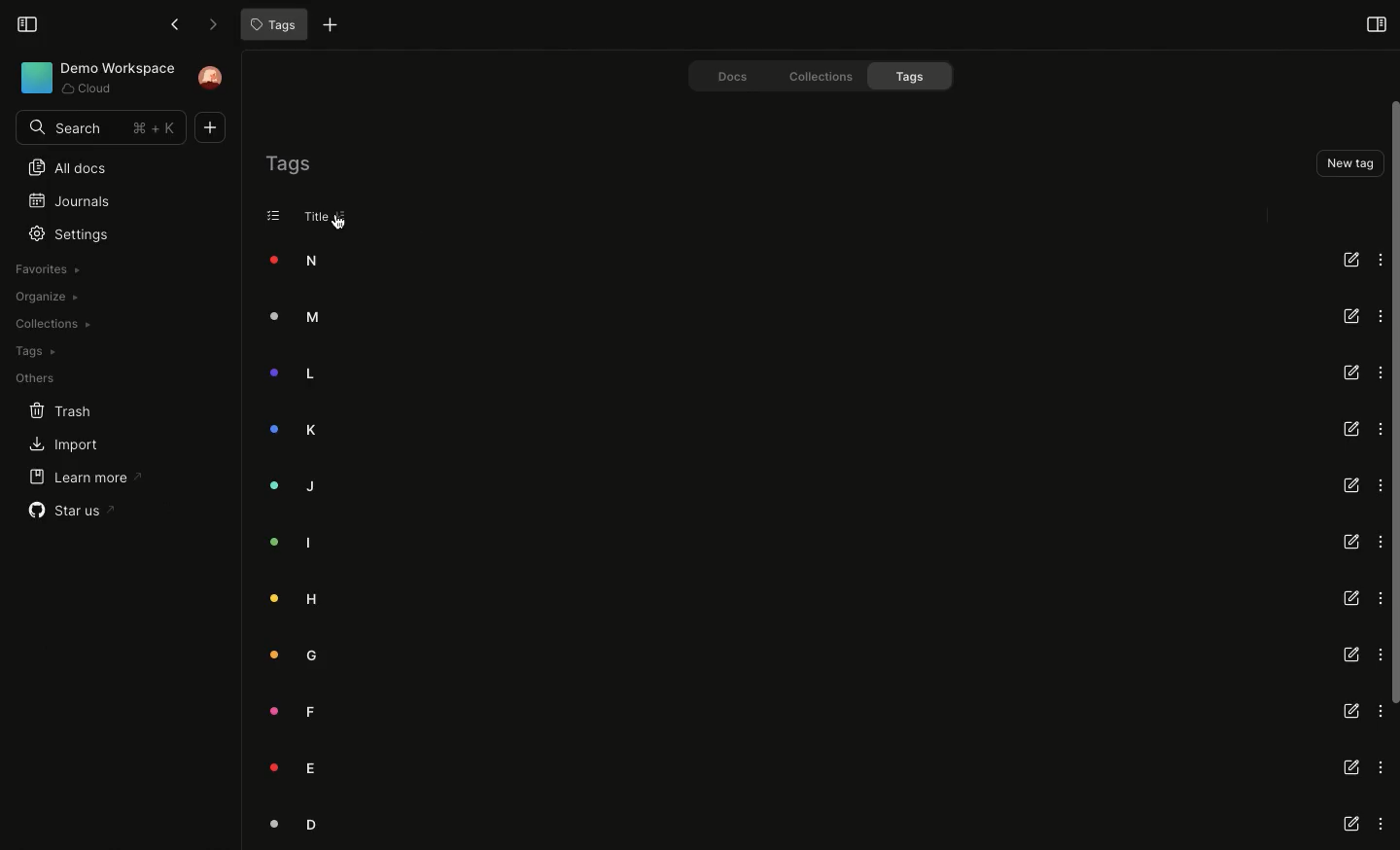 The height and width of the screenshot is (850, 1400). I want to click on Trash, so click(49, 409).